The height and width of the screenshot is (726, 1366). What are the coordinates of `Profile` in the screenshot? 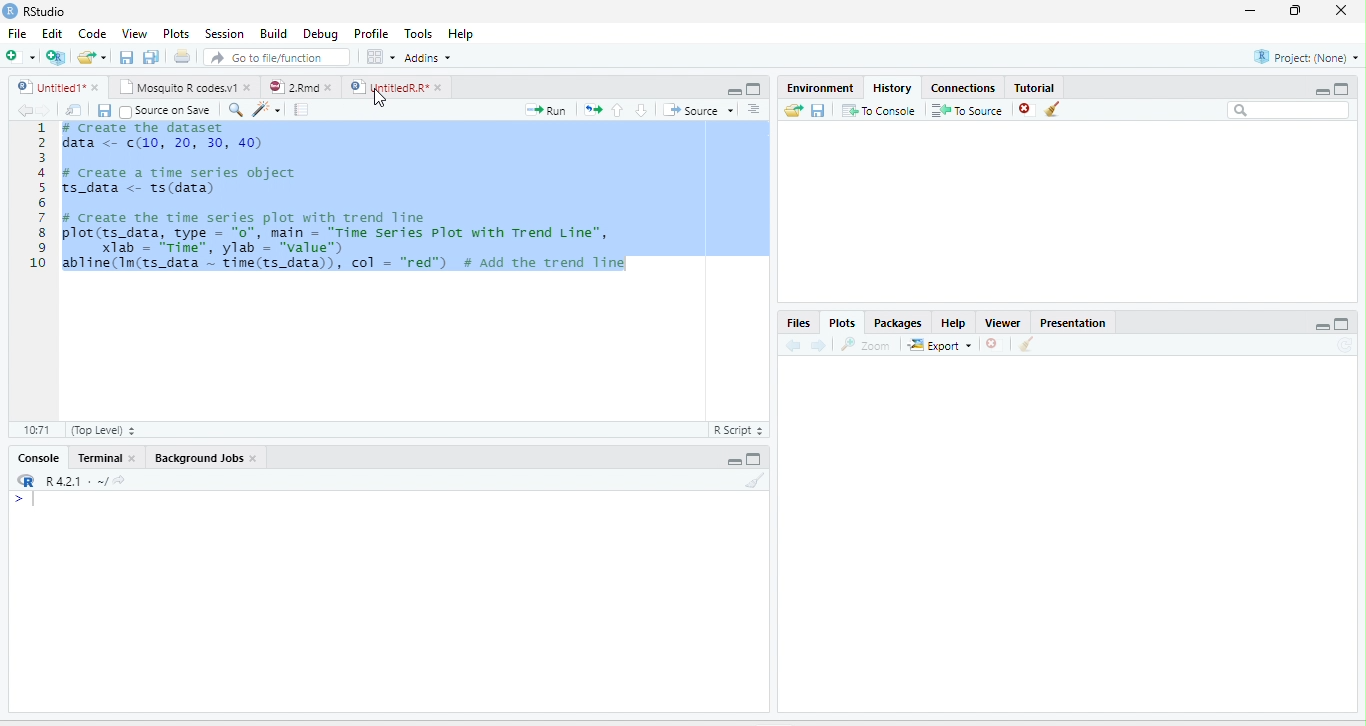 It's located at (369, 34).